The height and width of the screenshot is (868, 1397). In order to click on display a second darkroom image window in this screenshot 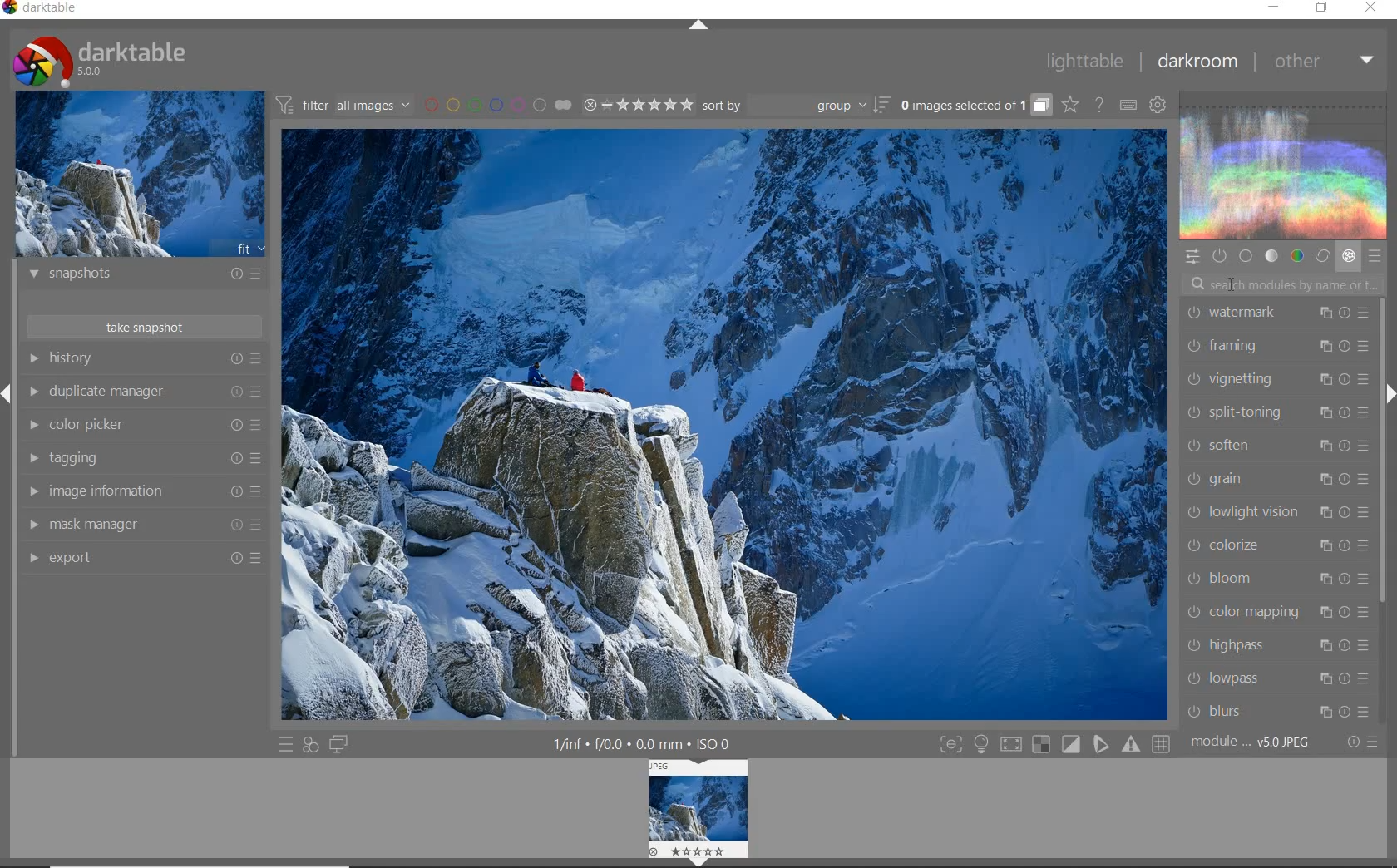, I will do `click(338, 745)`.